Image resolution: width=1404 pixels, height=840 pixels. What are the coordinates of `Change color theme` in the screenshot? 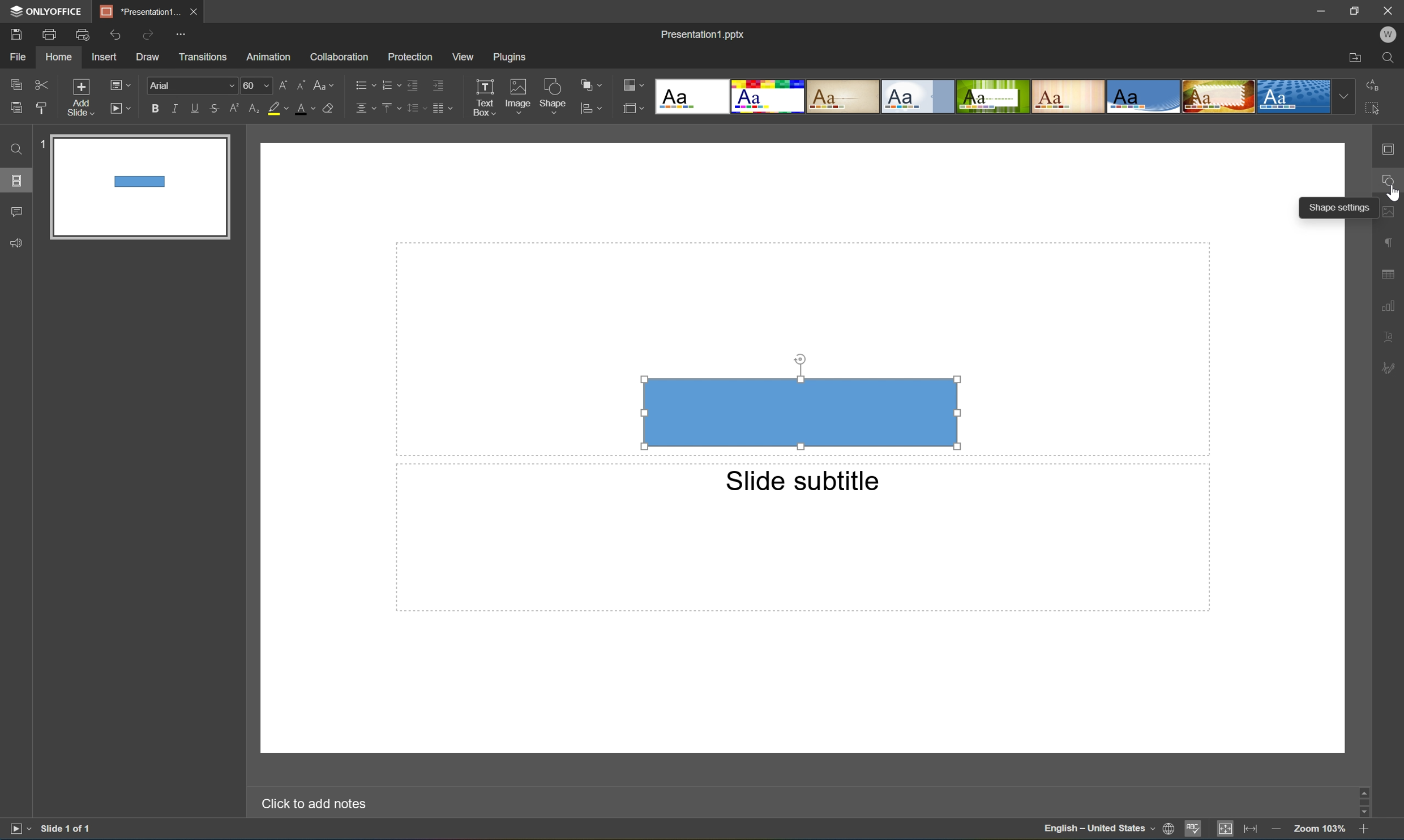 It's located at (633, 85).